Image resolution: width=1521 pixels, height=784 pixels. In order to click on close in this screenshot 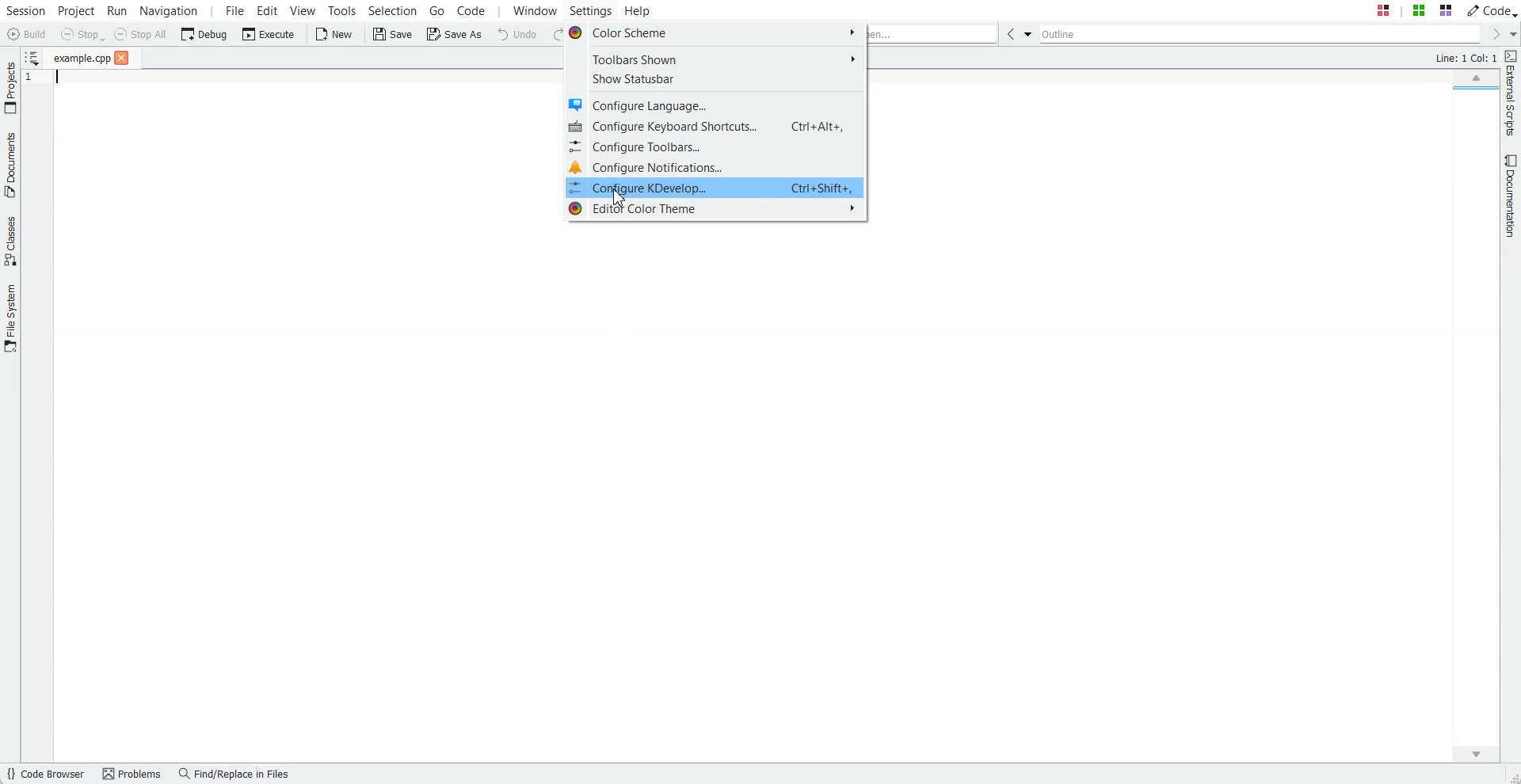, I will do `click(122, 59)`.